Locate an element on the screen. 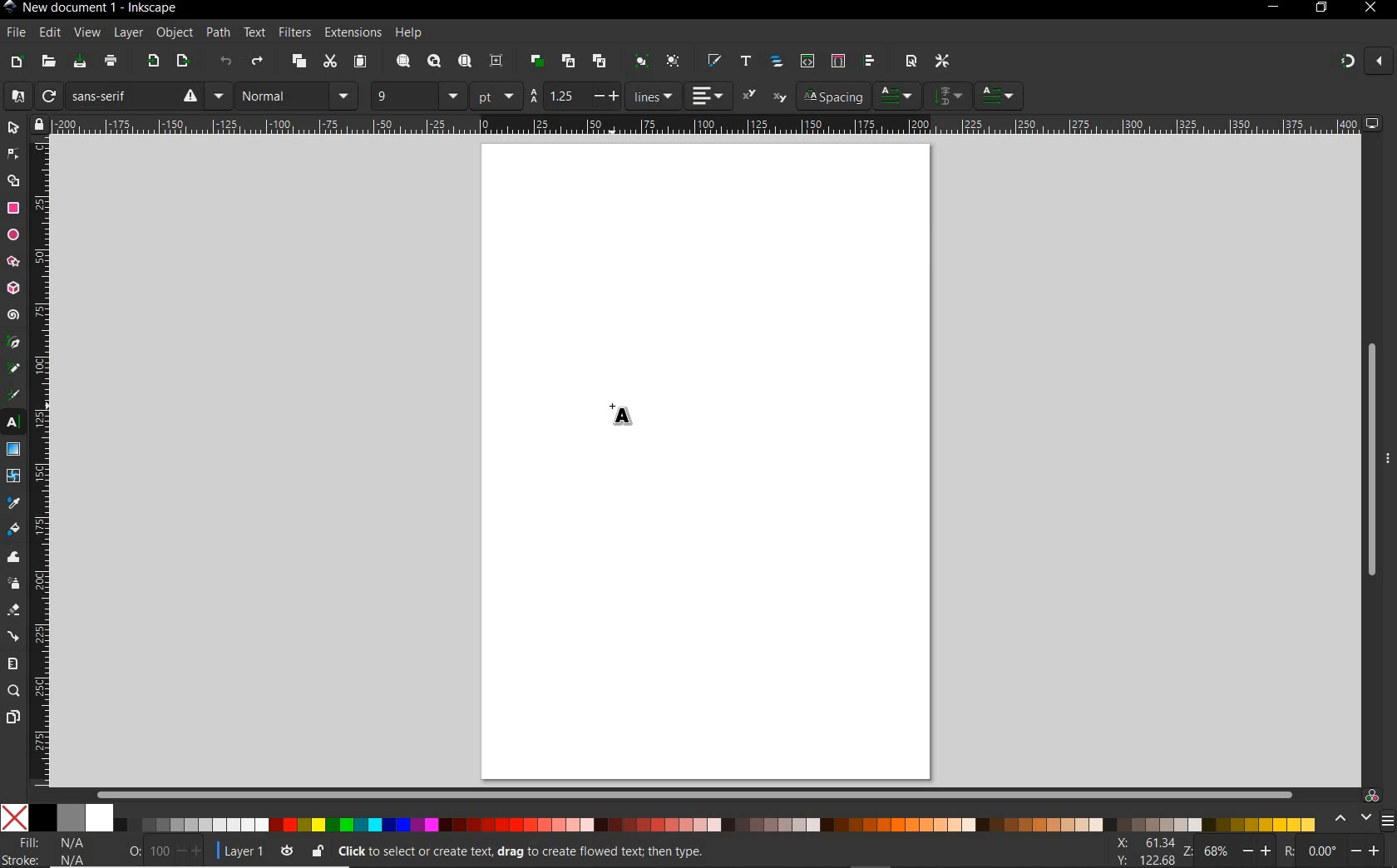  Paragraph styles is located at coordinates (898, 96).